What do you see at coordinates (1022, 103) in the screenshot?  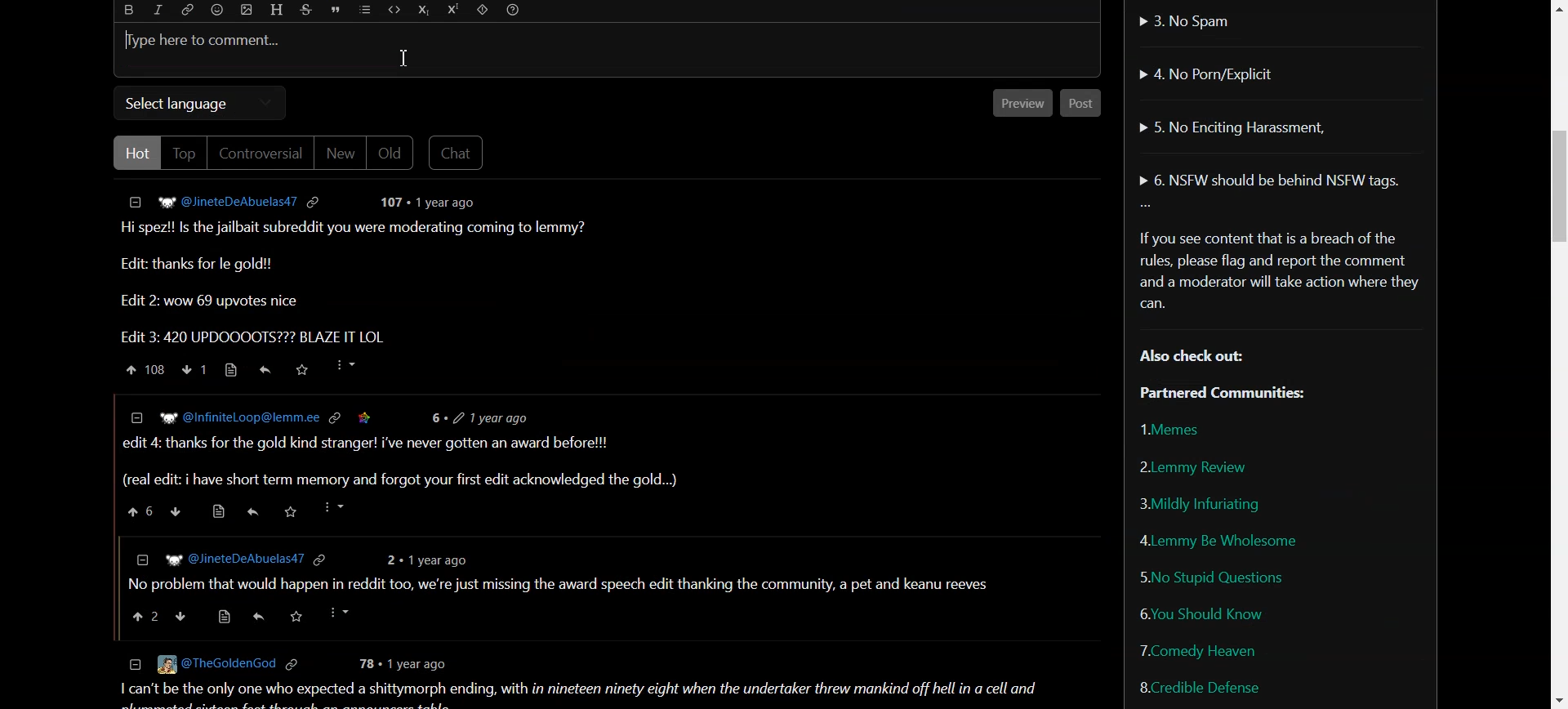 I see `Preview ` at bounding box center [1022, 103].